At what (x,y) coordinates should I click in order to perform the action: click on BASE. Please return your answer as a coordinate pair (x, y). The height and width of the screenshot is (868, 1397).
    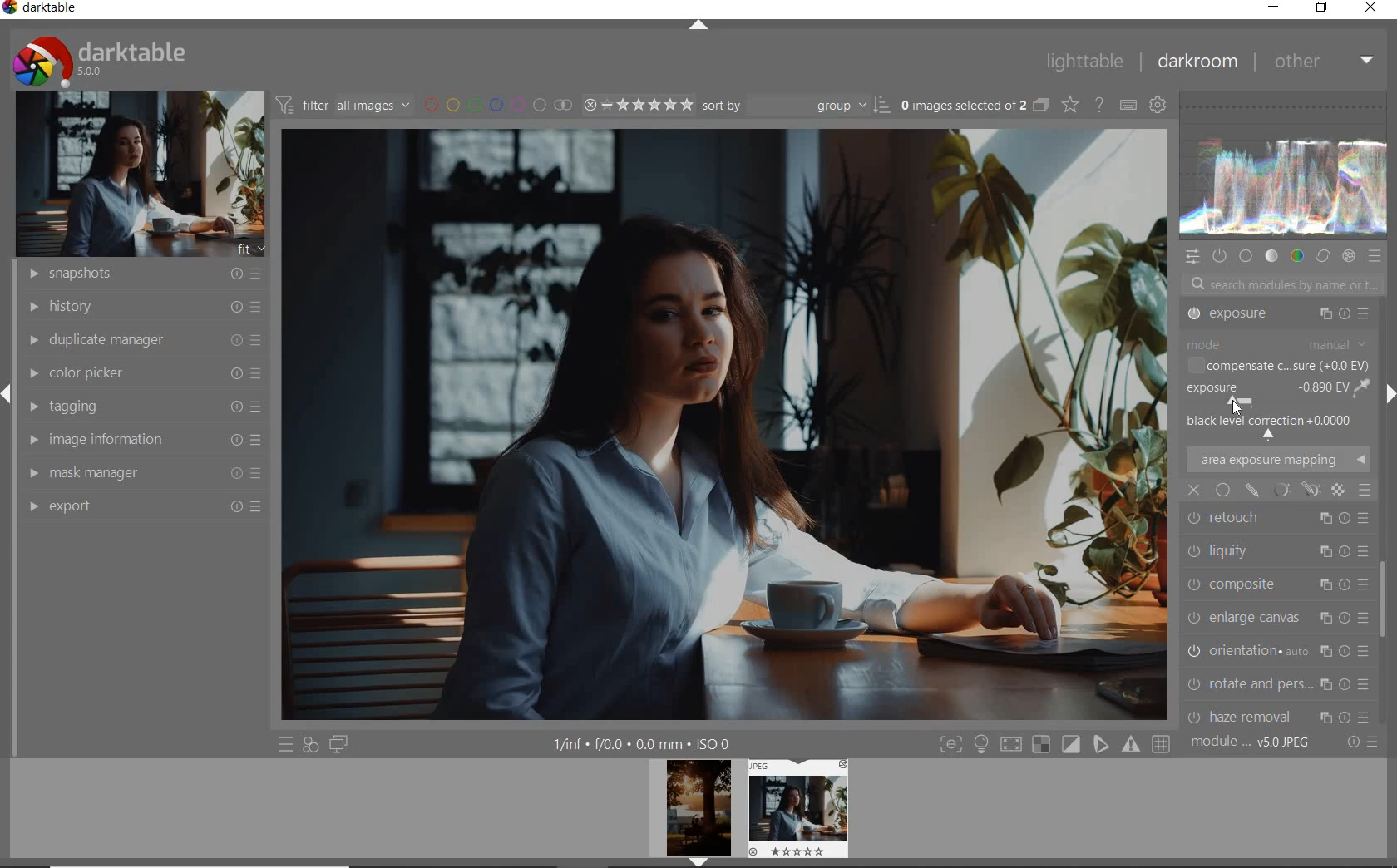
    Looking at the image, I should click on (1246, 257).